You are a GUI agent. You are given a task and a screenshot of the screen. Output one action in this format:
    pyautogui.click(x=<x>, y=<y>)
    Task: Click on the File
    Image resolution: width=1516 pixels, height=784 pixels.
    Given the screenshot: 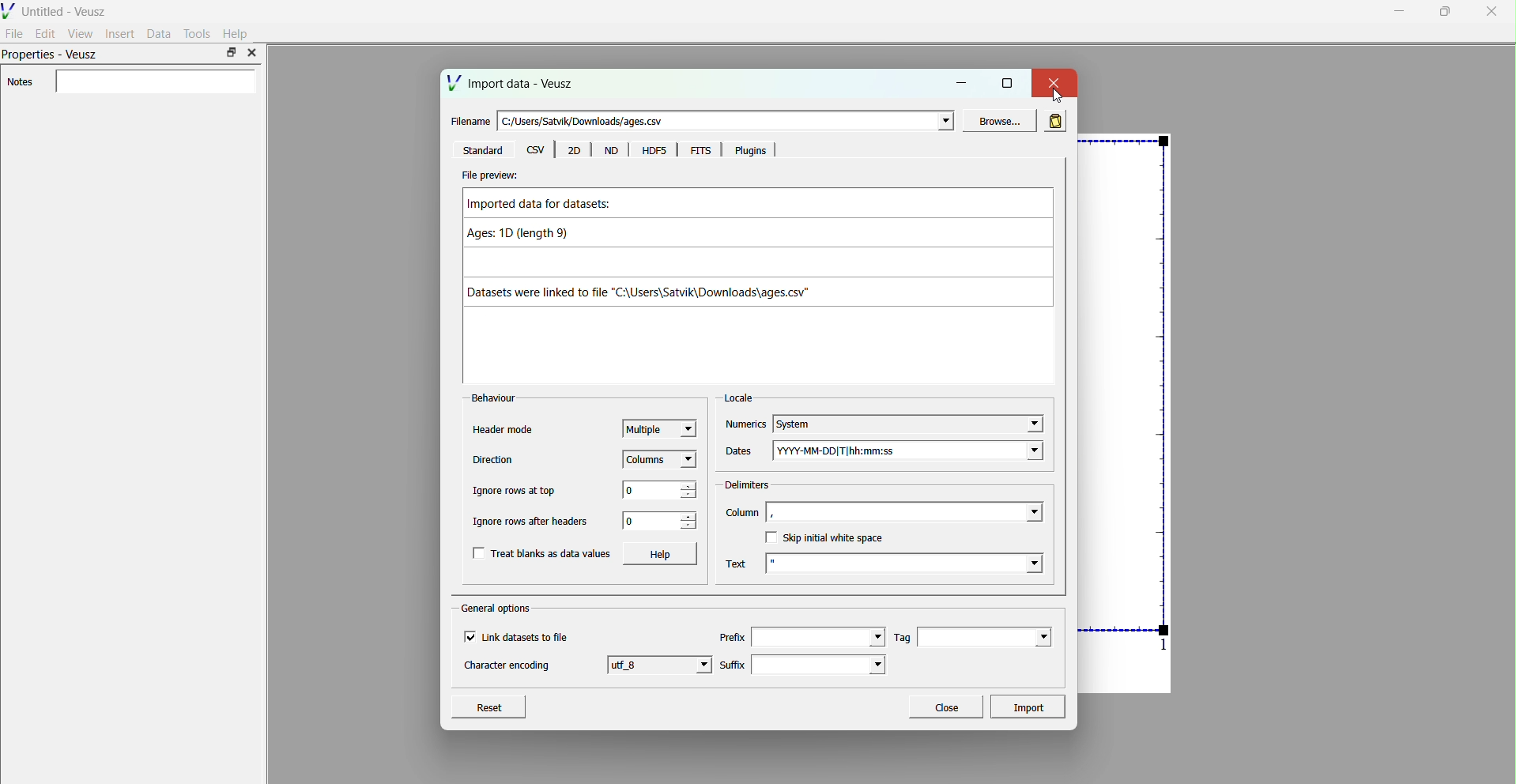 What is the action you would take?
    pyautogui.click(x=15, y=32)
    